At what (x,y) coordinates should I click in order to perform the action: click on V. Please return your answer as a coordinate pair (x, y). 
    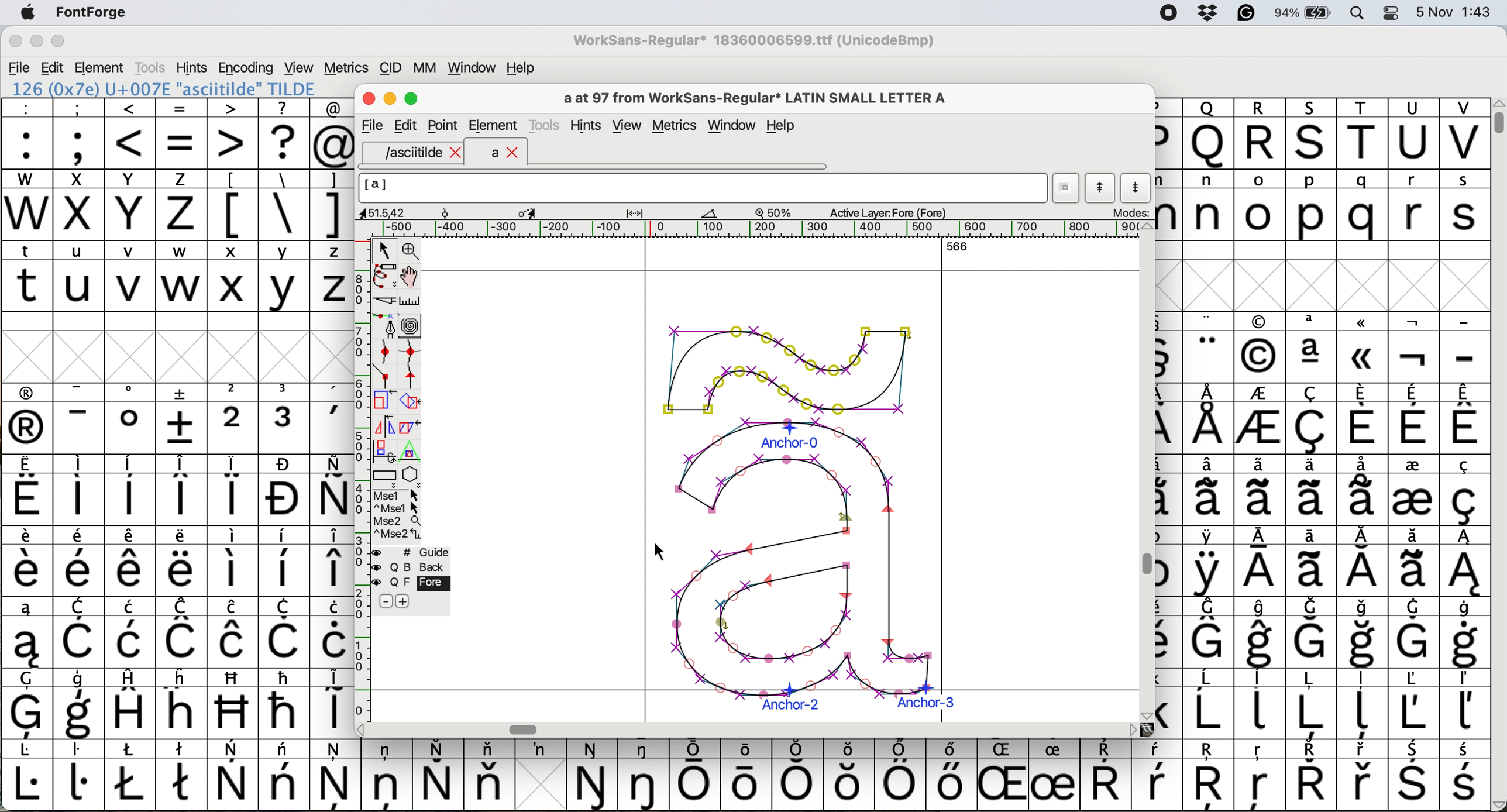
    Looking at the image, I should click on (1464, 134).